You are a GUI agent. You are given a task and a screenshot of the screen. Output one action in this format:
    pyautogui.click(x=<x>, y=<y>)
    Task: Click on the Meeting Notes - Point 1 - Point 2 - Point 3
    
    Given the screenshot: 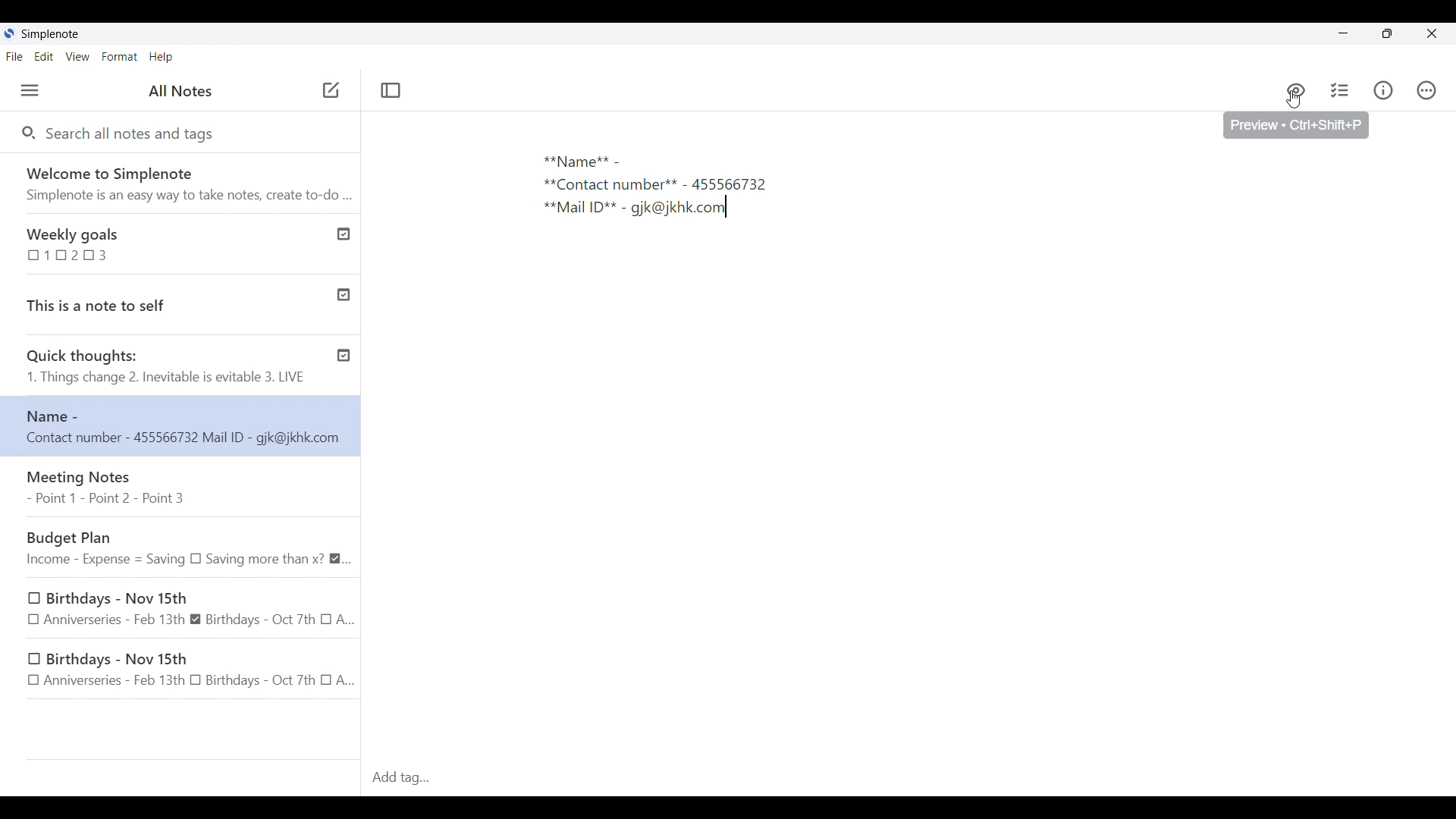 What is the action you would take?
    pyautogui.click(x=183, y=488)
    